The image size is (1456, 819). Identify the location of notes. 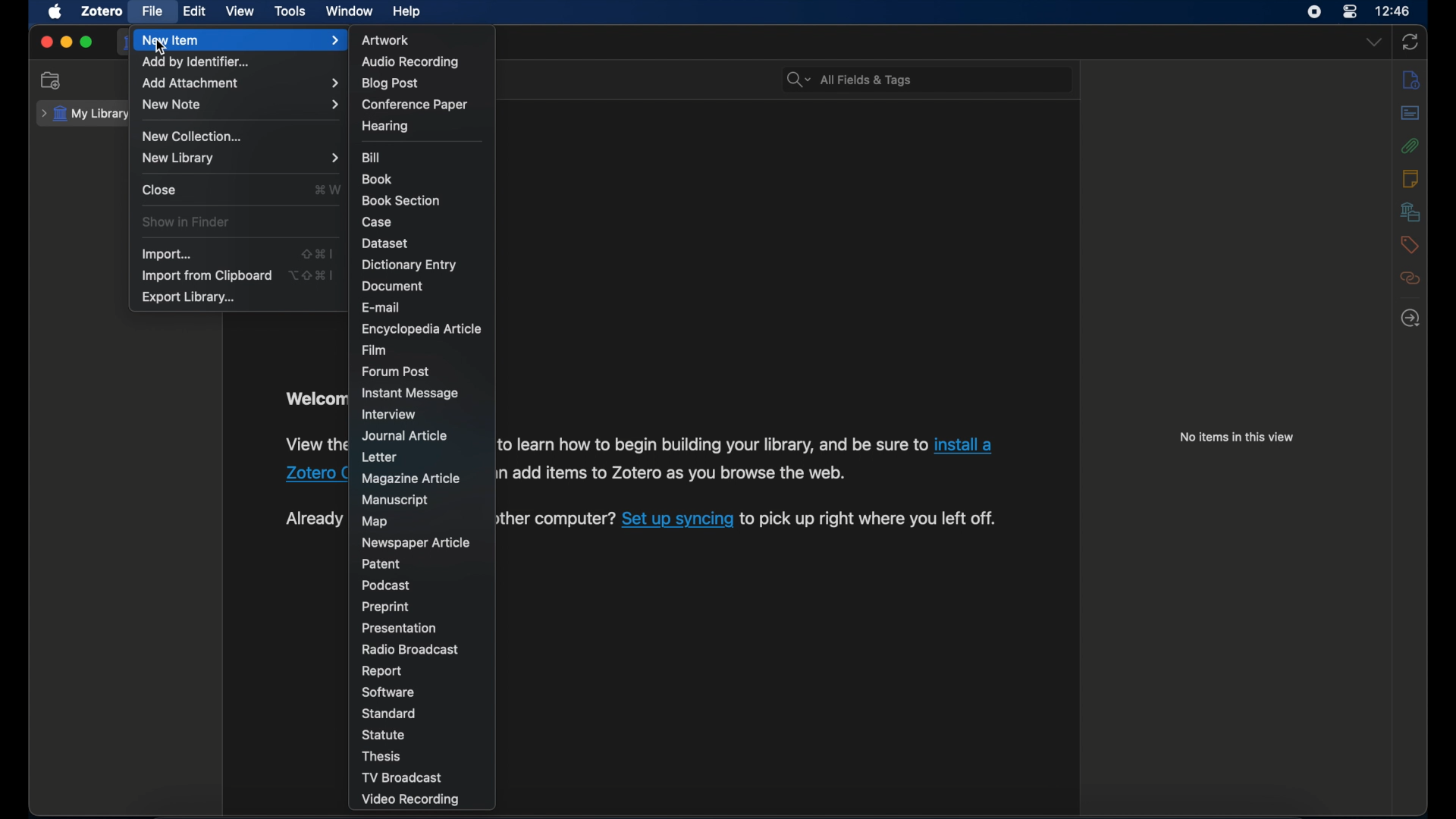
(1414, 79).